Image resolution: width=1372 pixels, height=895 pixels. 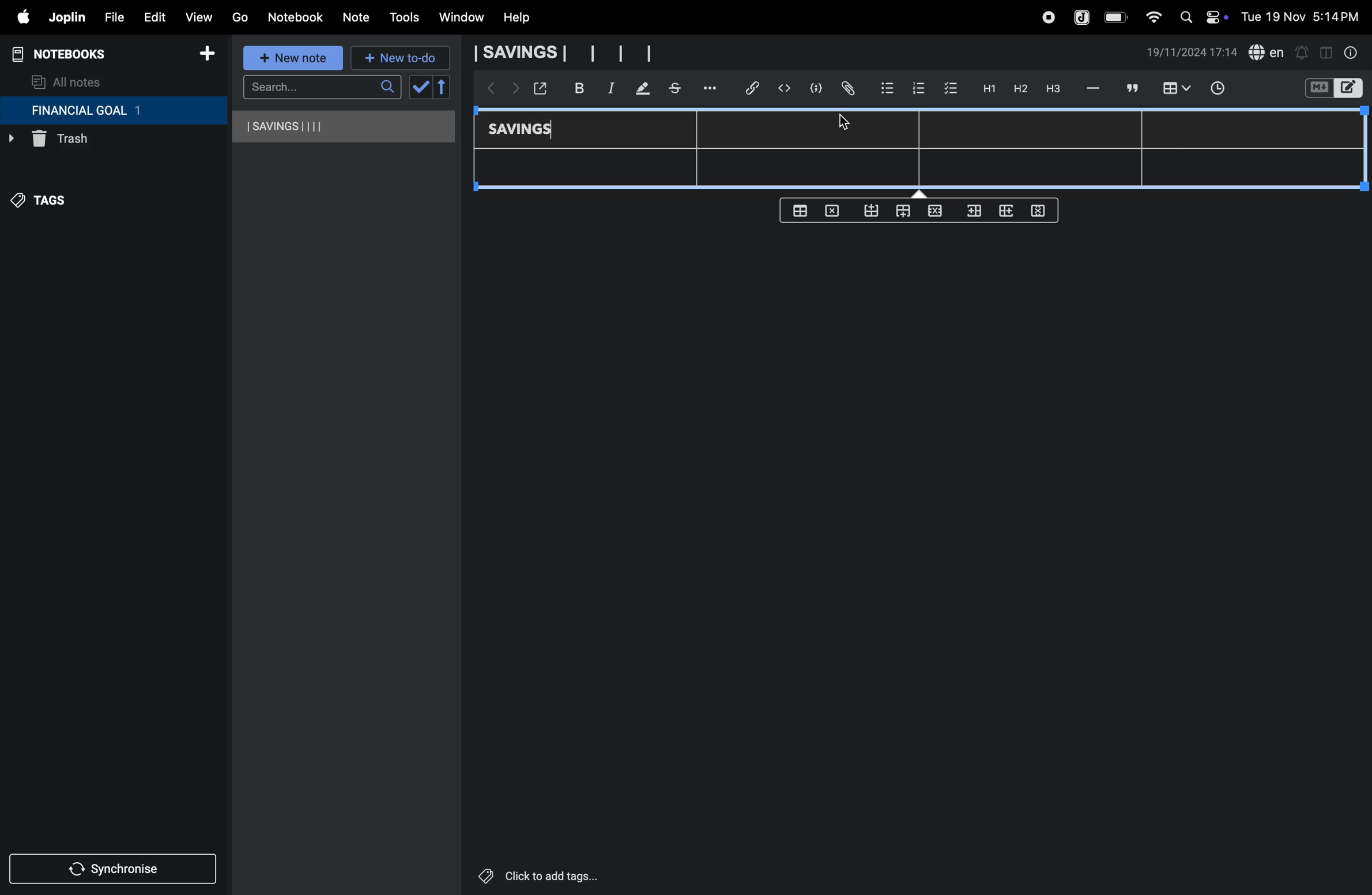 I want to click on delete rows, so click(x=1039, y=210).